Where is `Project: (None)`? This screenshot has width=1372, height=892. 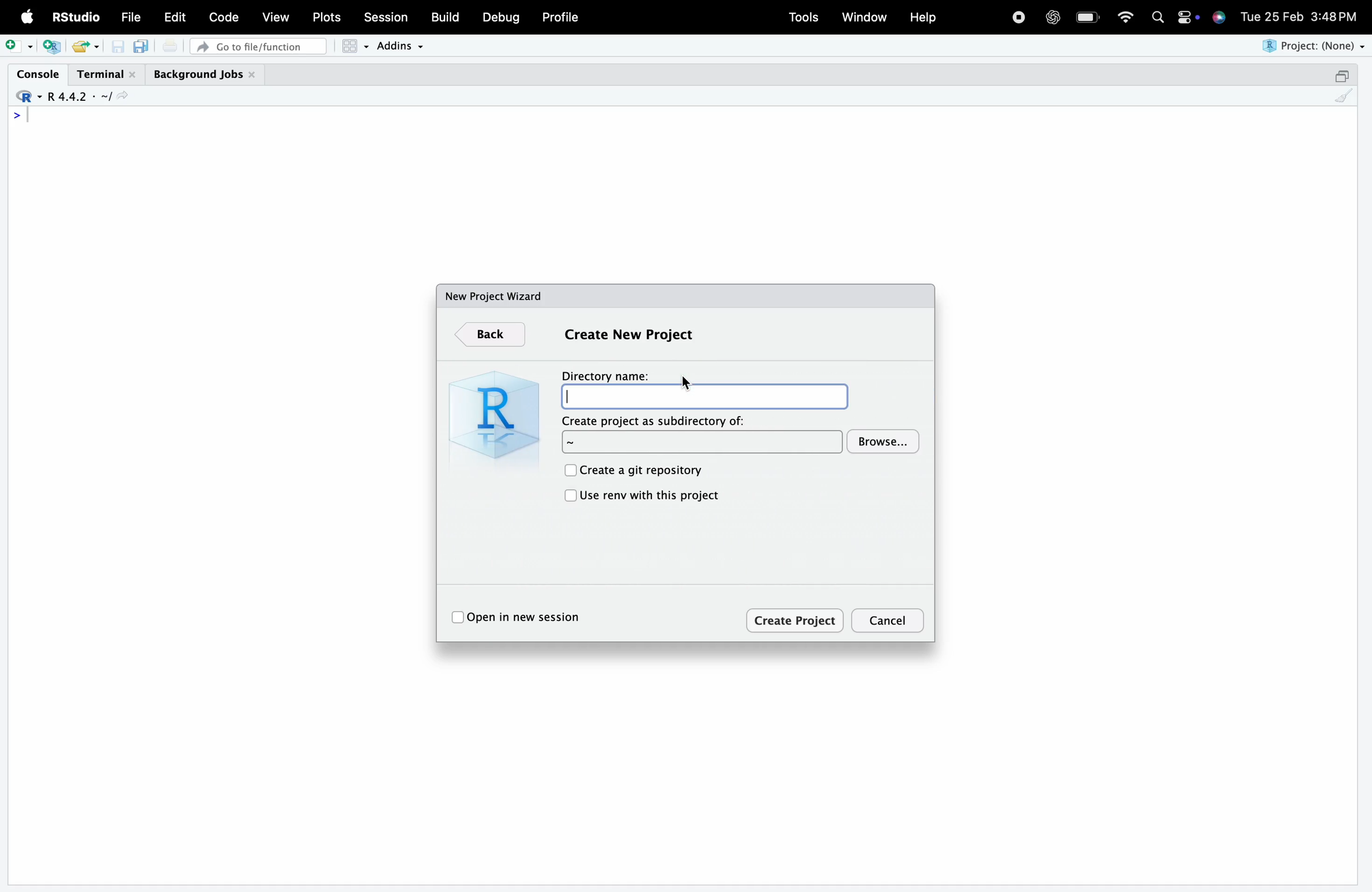 Project: (None) is located at coordinates (1311, 46).